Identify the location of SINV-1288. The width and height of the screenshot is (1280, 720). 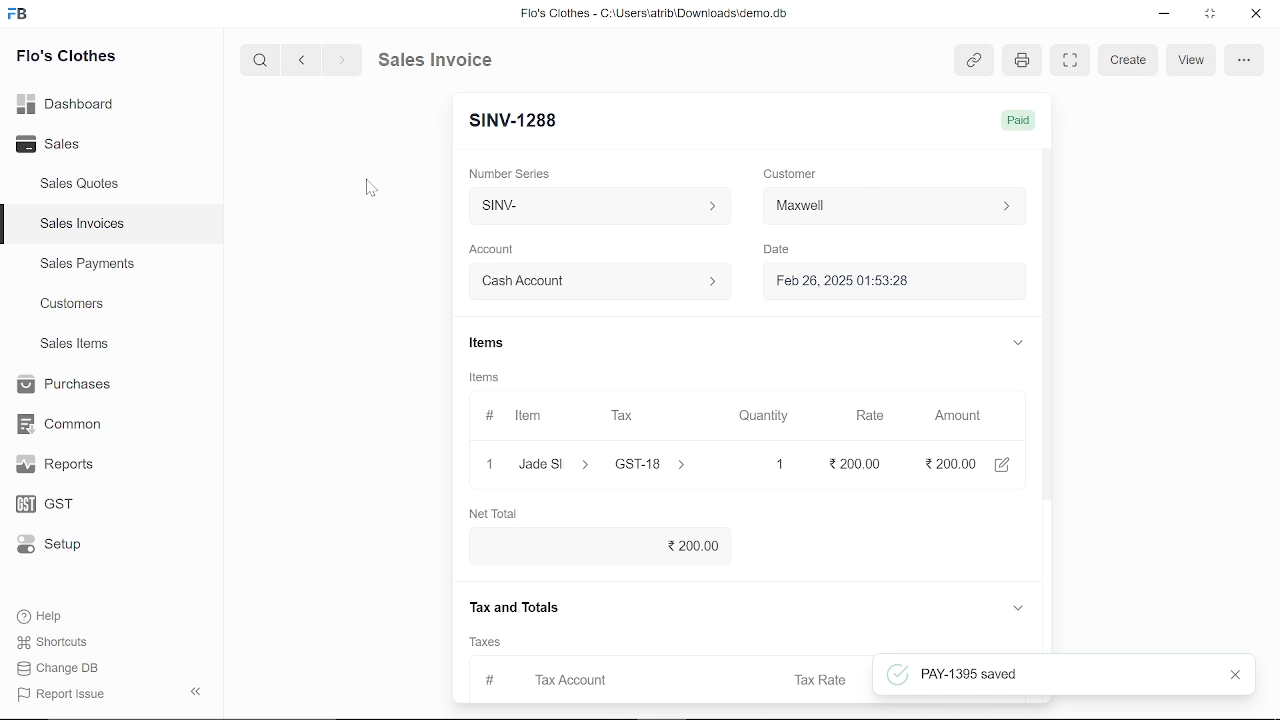
(517, 121).